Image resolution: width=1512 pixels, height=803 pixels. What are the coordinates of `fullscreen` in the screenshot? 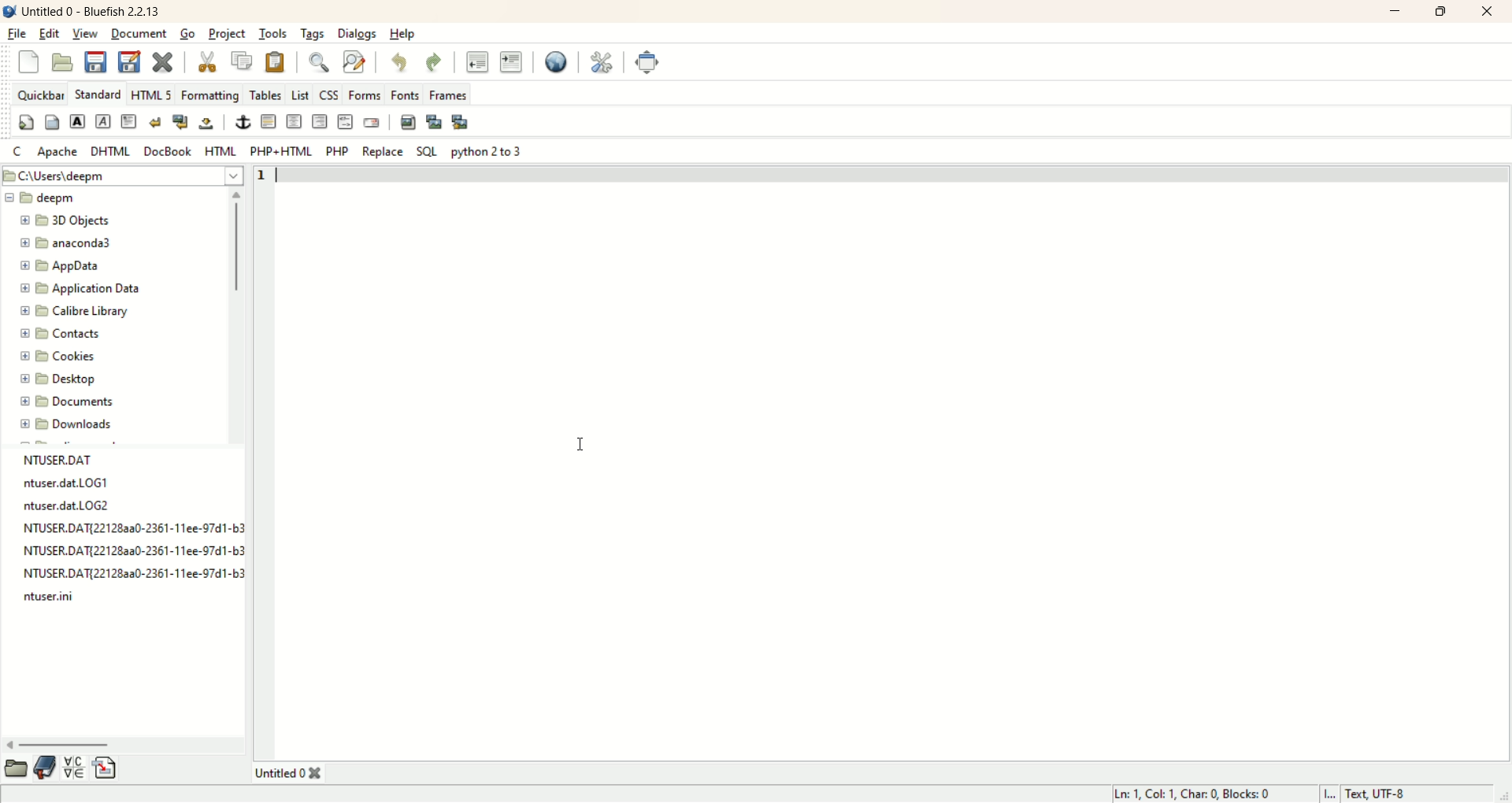 It's located at (645, 61).